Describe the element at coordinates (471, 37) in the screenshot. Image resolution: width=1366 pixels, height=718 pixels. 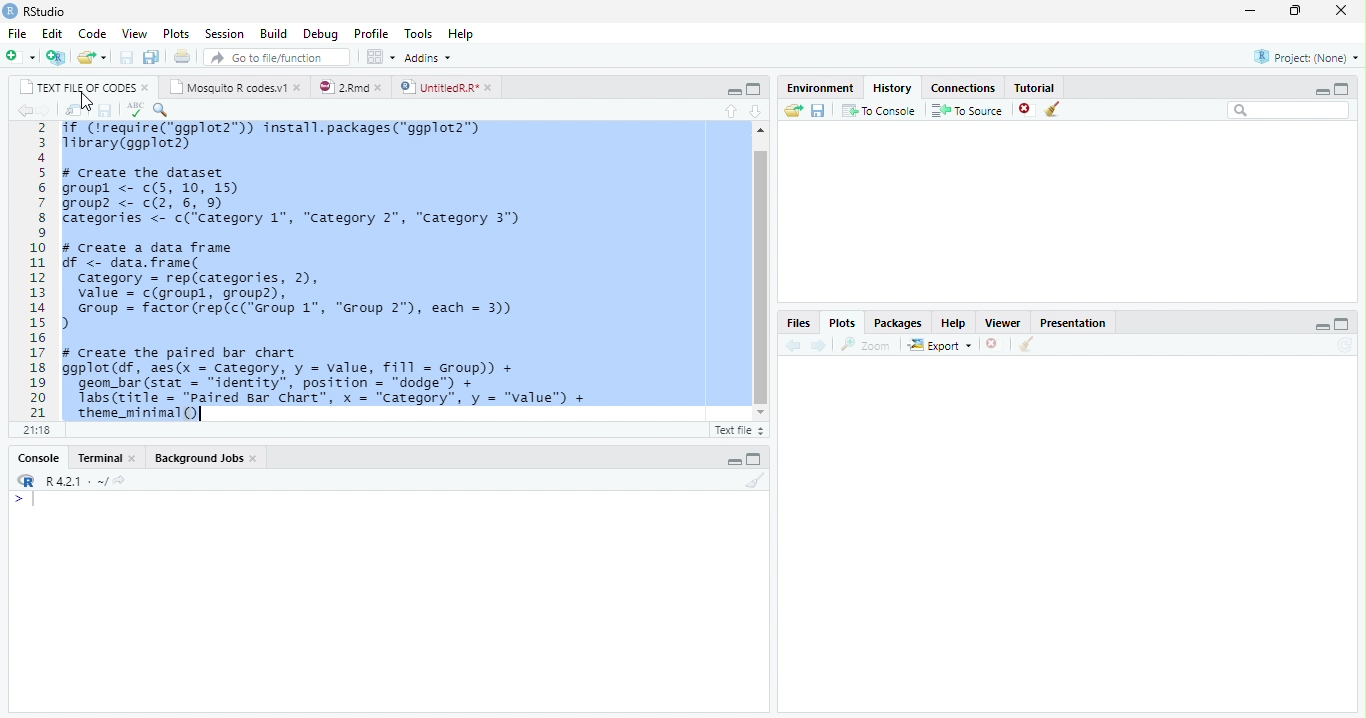
I see `help` at that location.